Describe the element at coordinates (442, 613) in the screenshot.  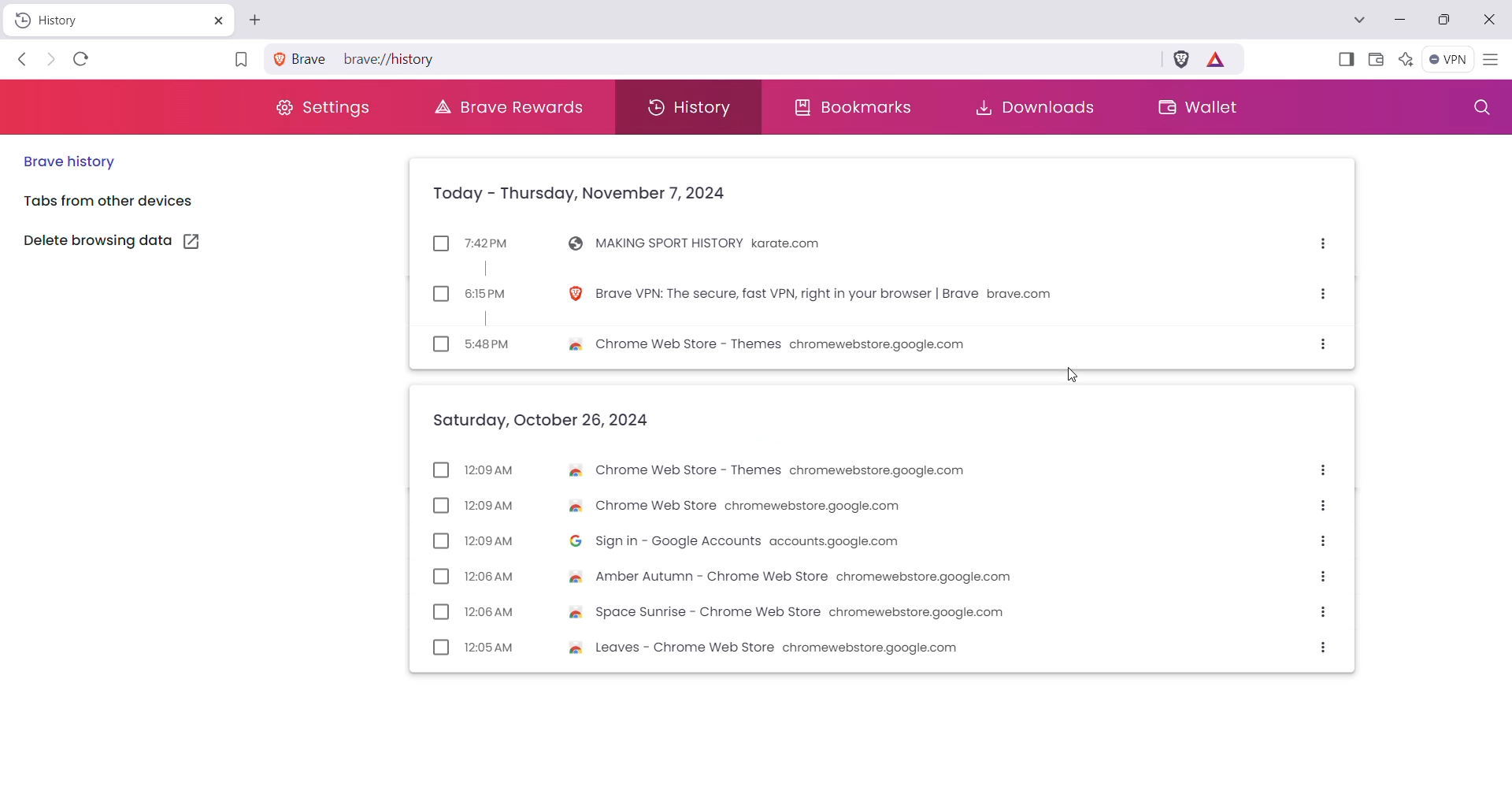
I see `checkbox` at that location.